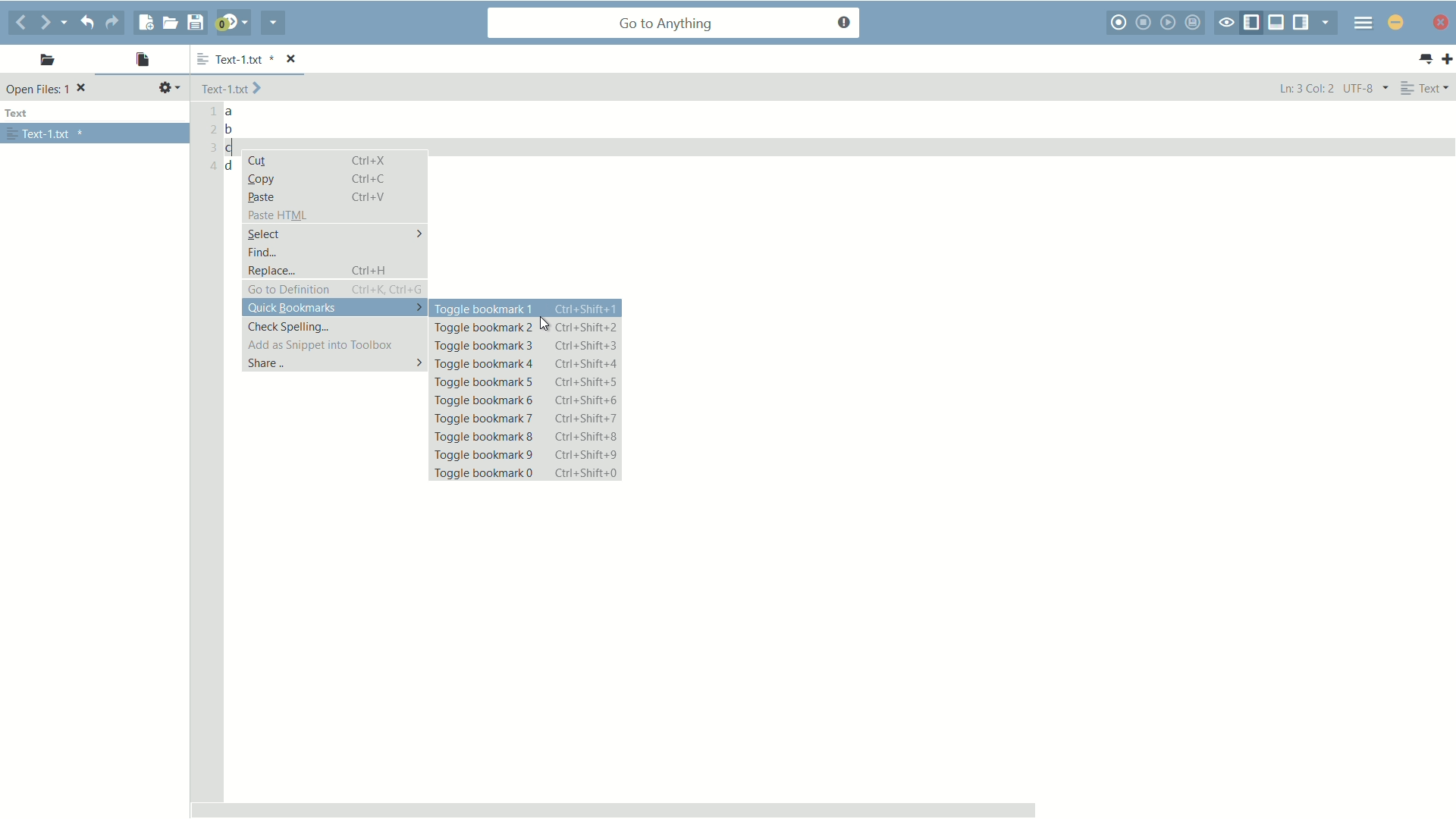 Image resolution: width=1456 pixels, height=819 pixels. Describe the element at coordinates (324, 178) in the screenshot. I see `copy ctrl+C` at that location.